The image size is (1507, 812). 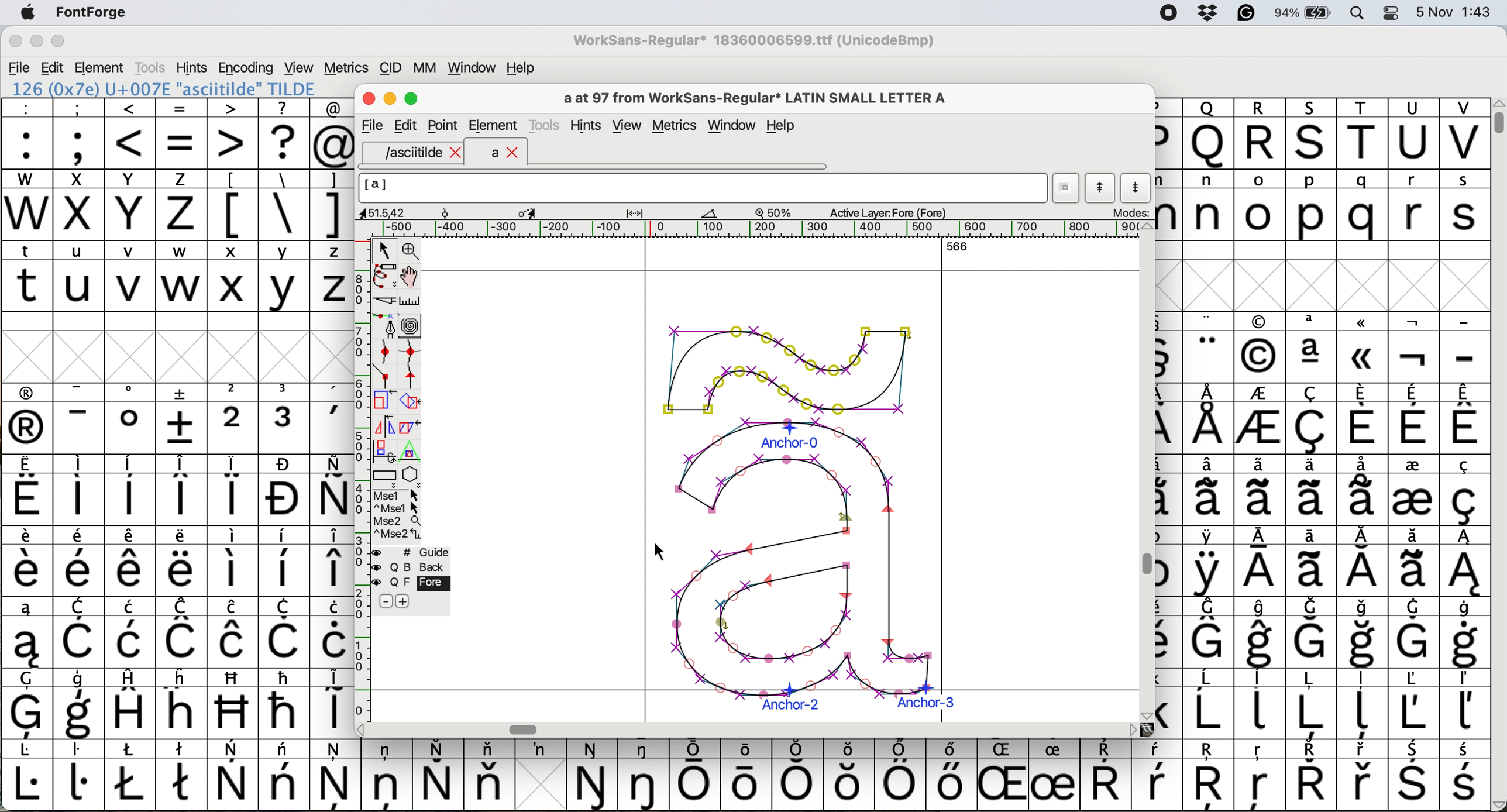 I want to click on encoding, so click(x=247, y=68).